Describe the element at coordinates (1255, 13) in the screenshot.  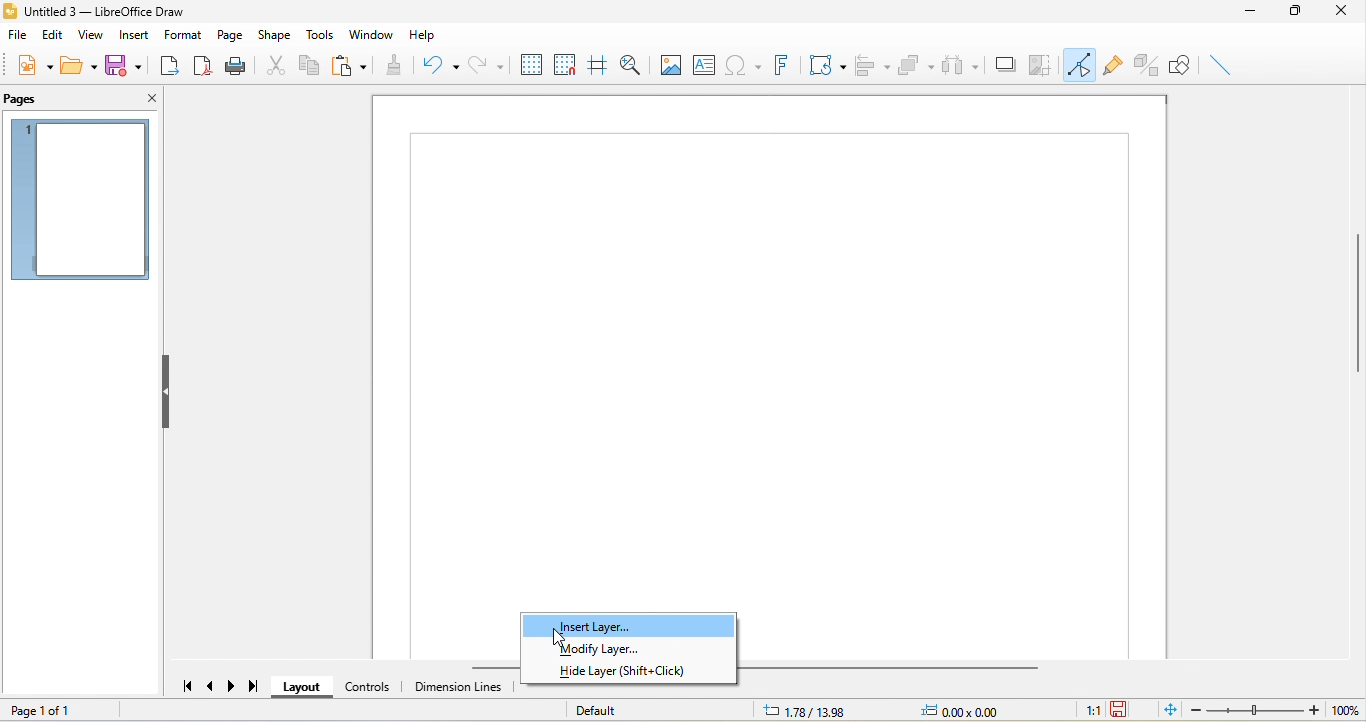
I see `minimize` at that location.